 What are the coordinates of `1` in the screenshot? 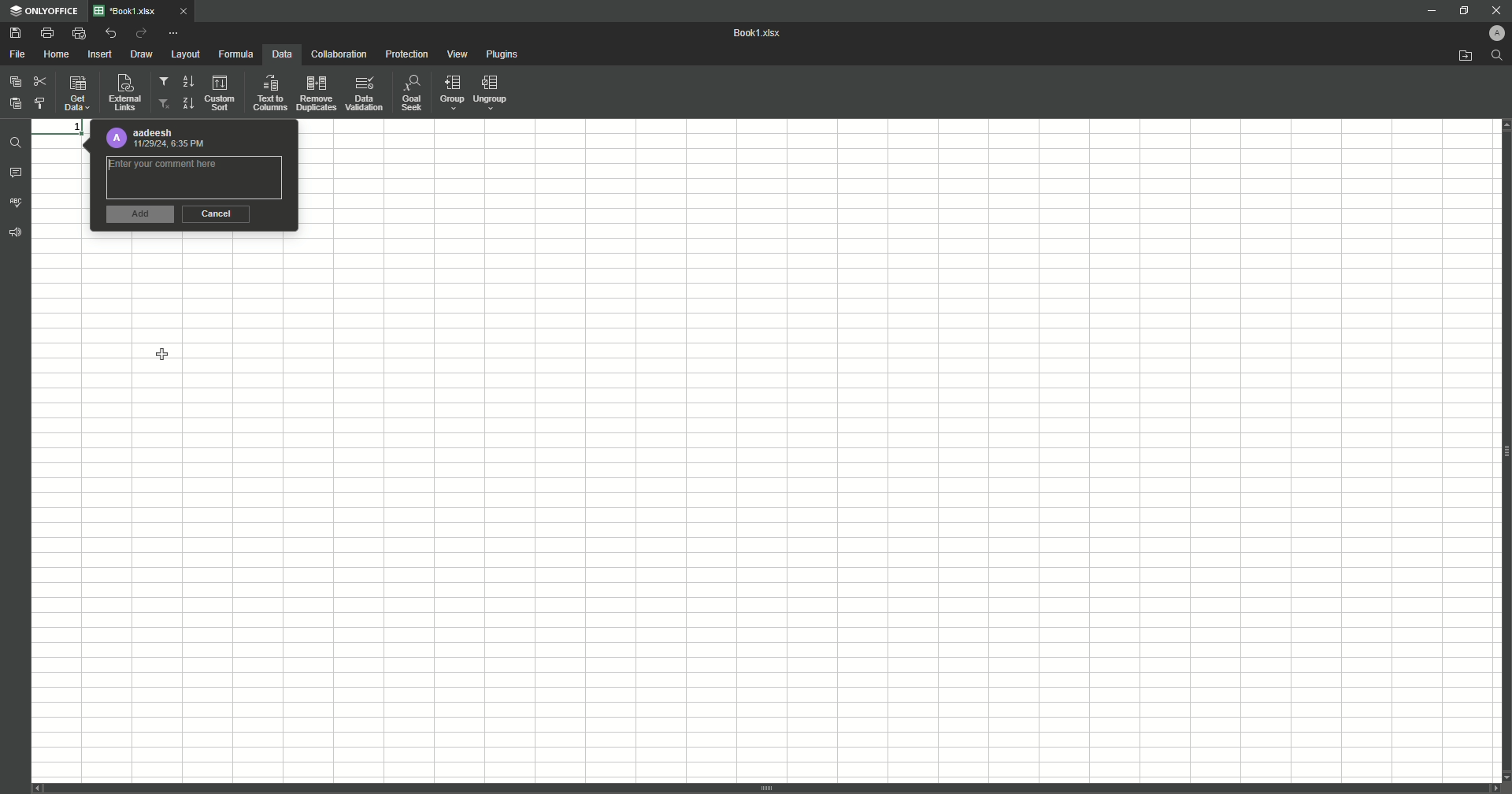 It's located at (62, 128).